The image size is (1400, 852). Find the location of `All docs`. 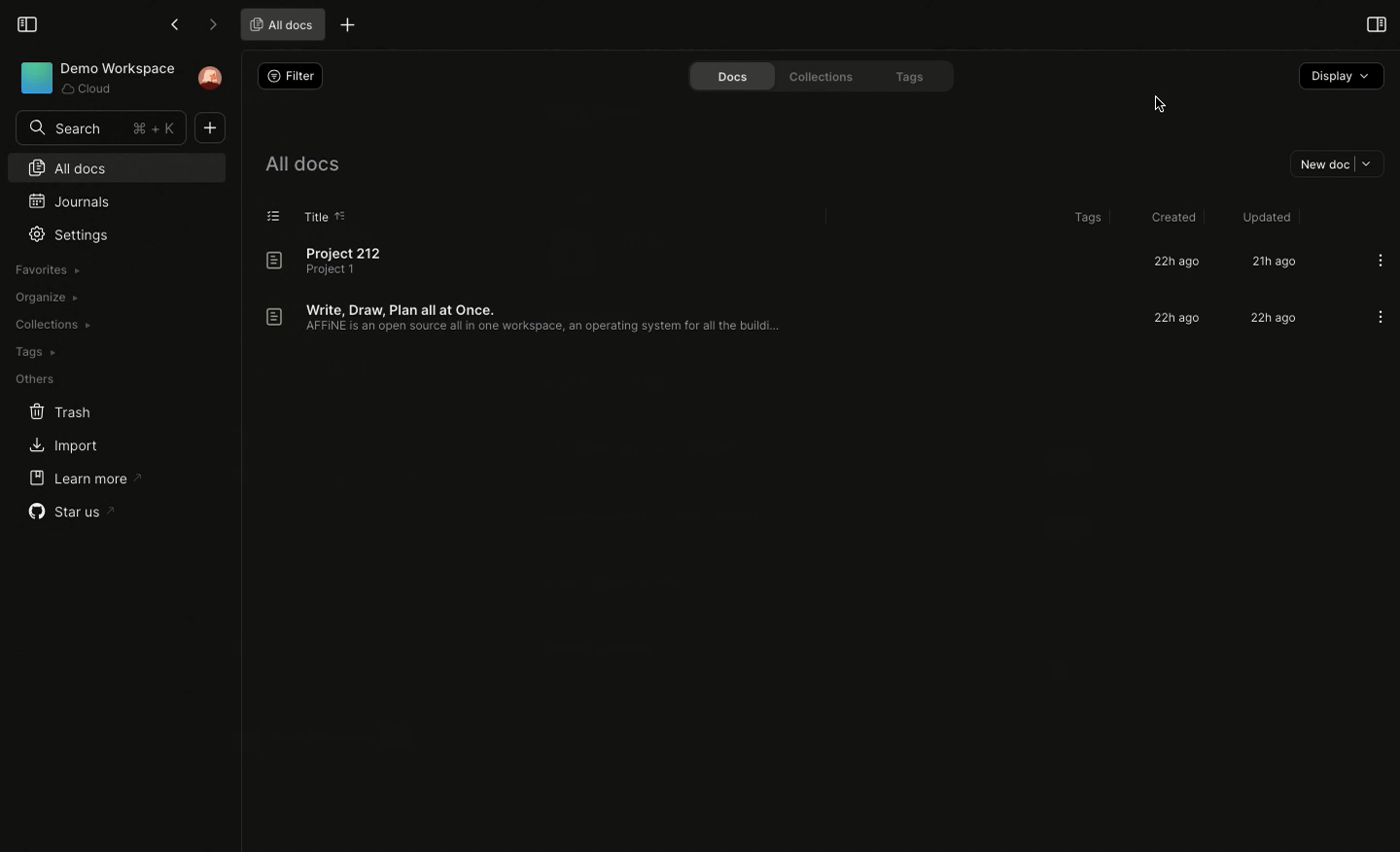

All docs is located at coordinates (303, 161).